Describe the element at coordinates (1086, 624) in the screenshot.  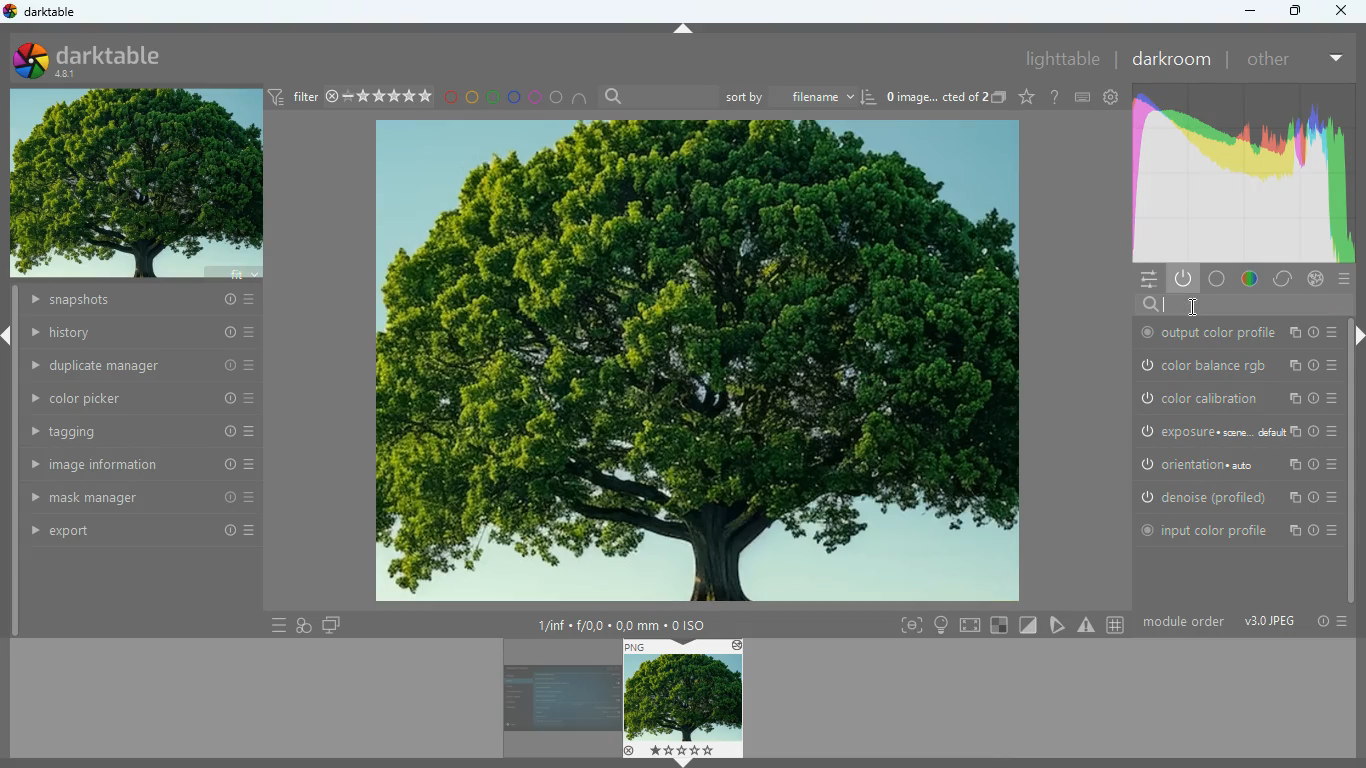
I see `warning` at that location.